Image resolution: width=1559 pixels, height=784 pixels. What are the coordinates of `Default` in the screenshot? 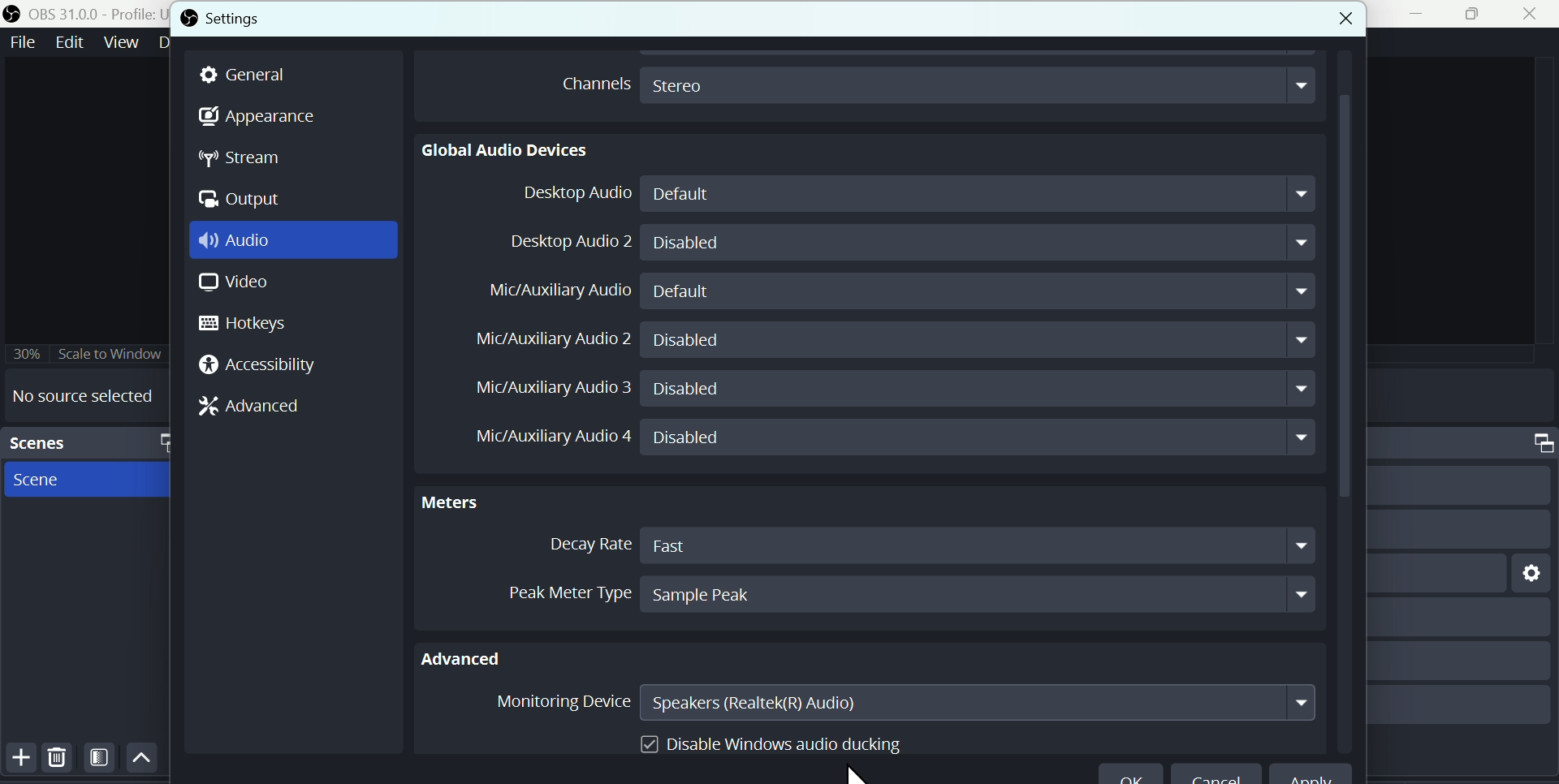 It's located at (985, 194).